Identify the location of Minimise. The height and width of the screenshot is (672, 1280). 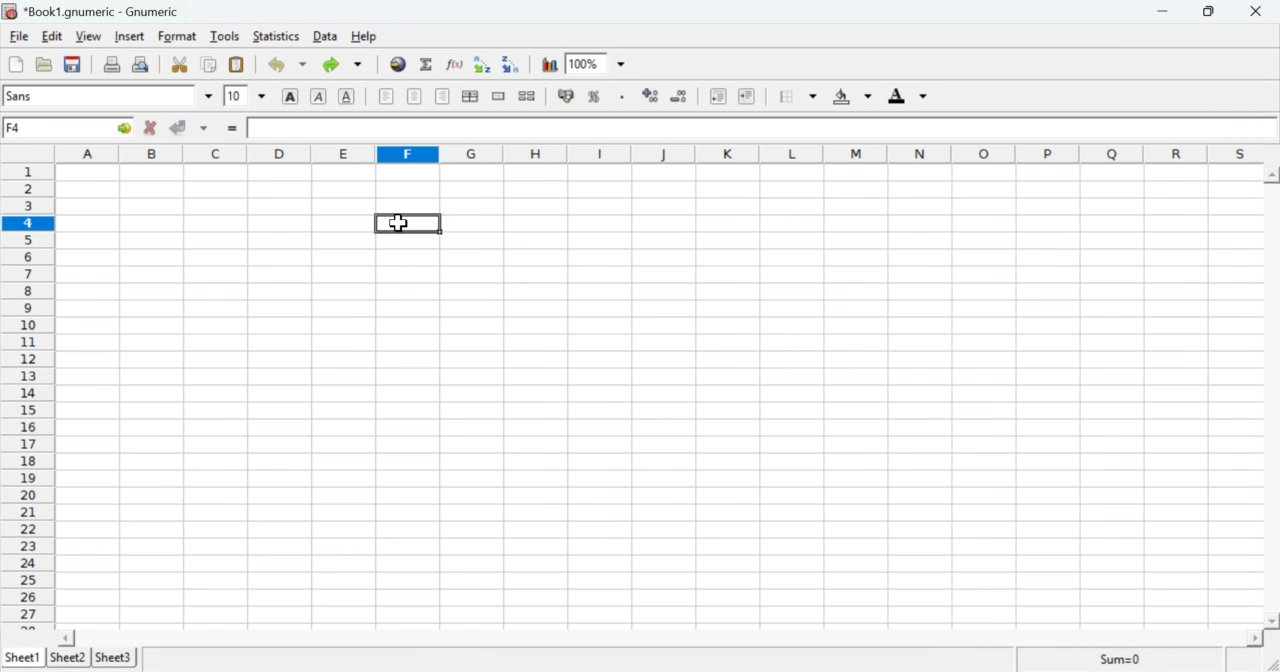
(1208, 11).